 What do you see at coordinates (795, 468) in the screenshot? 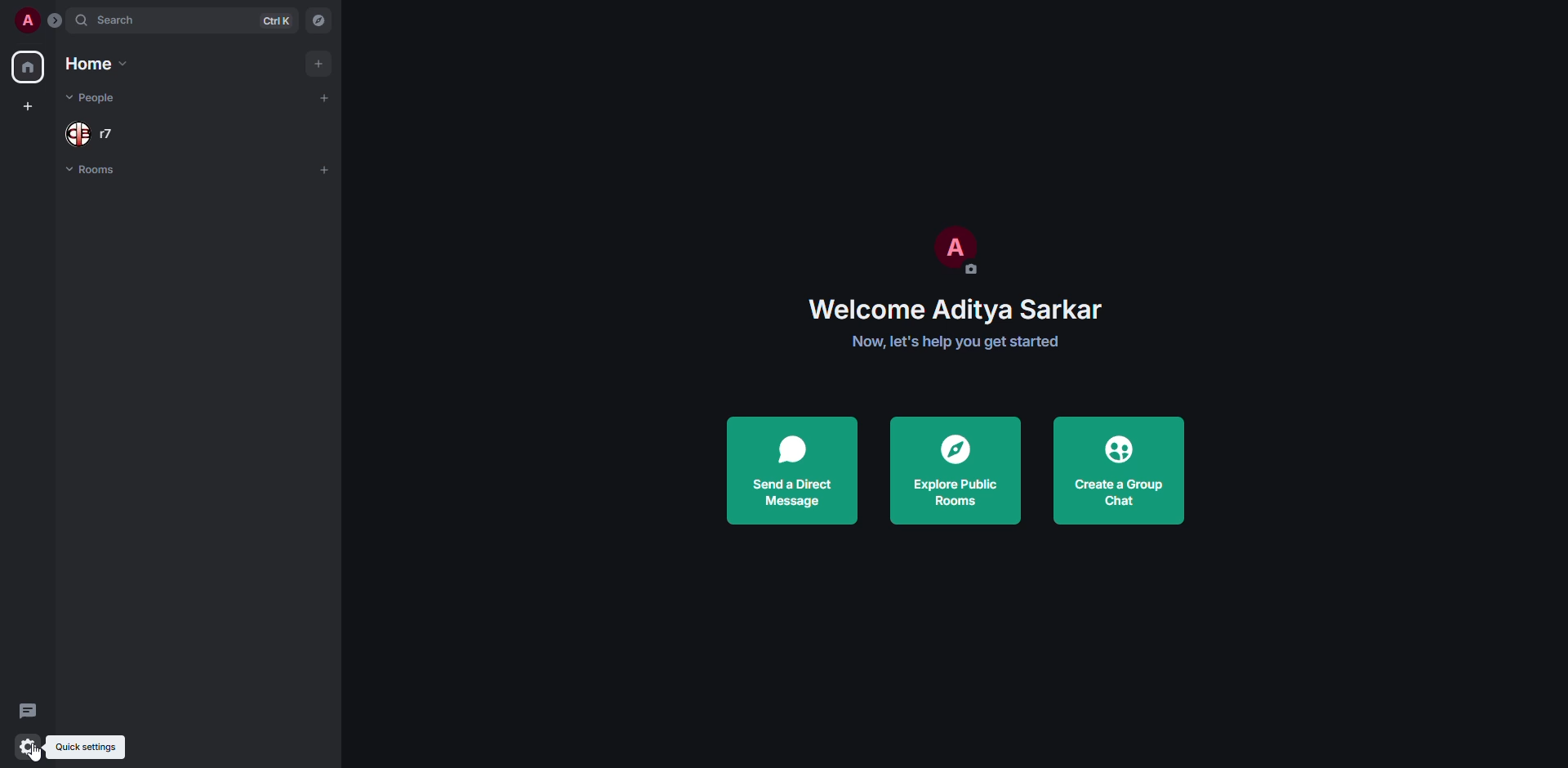
I see `send a direct message` at bounding box center [795, 468].